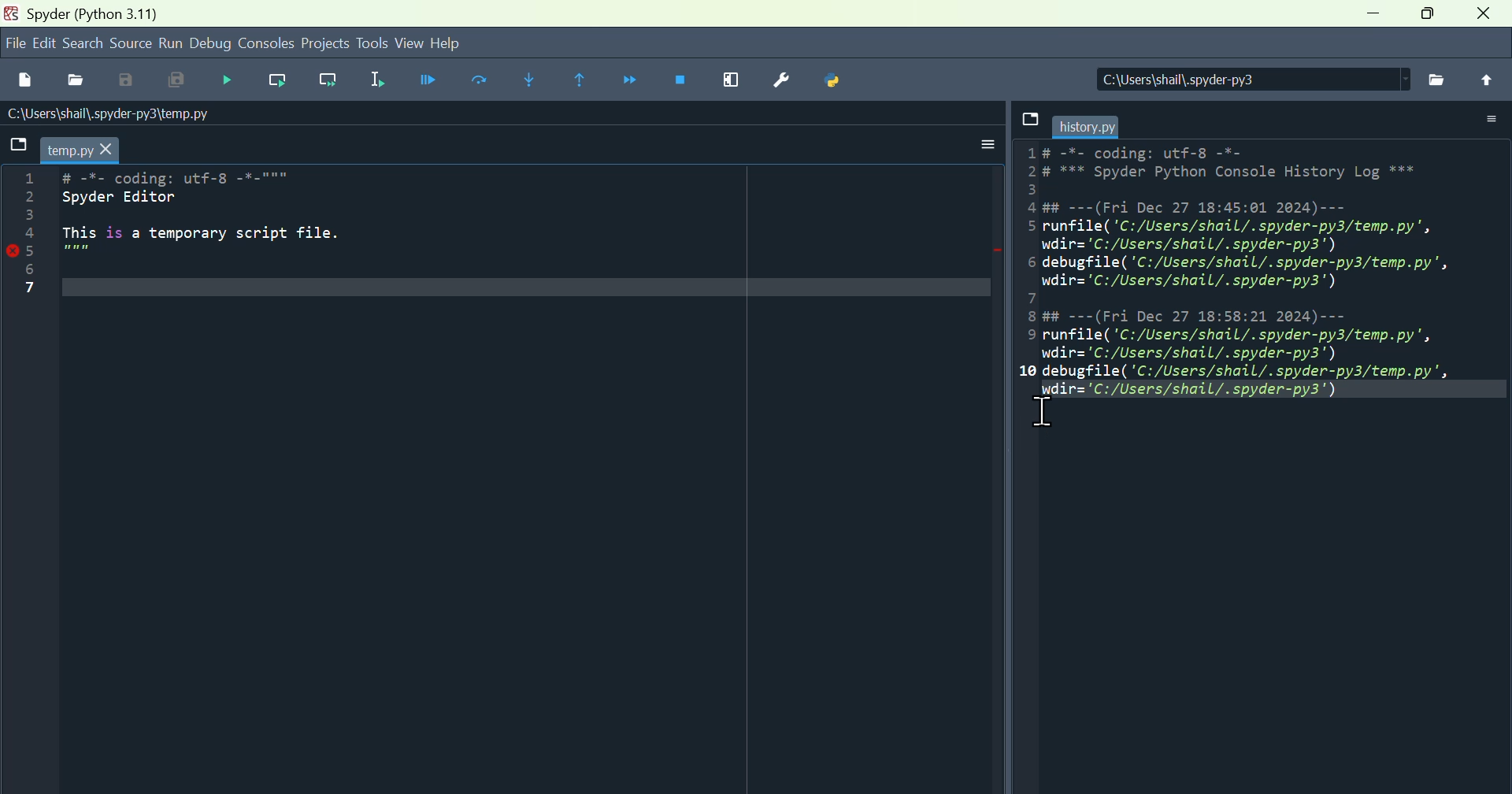 This screenshot has width=1512, height=794. I want to click on filename, so click(1089, 123).